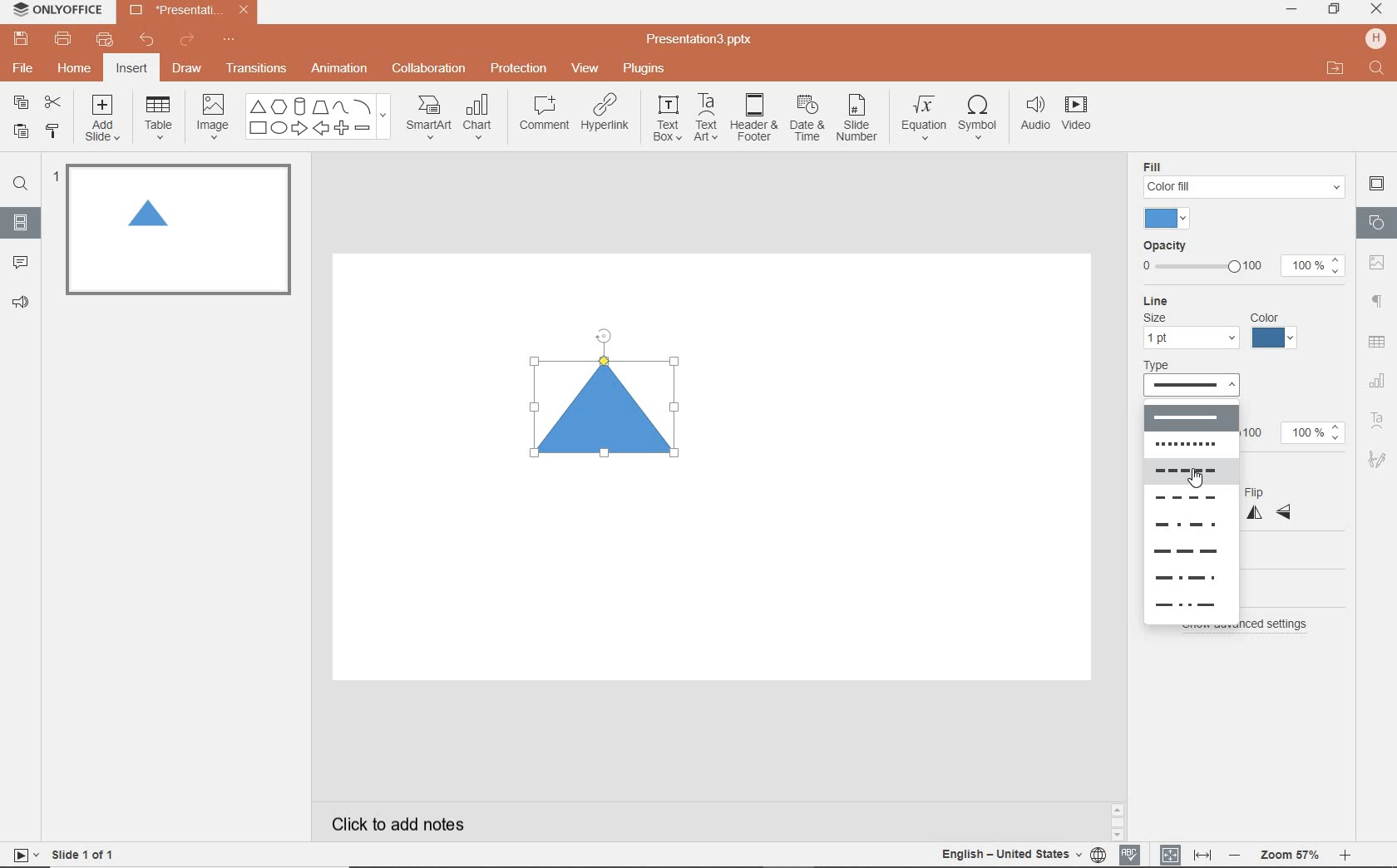 The image size is (1397, 868). Describe the element at coordinates (980, 114) in the screenshot. I see `SYMBOL` at that location.